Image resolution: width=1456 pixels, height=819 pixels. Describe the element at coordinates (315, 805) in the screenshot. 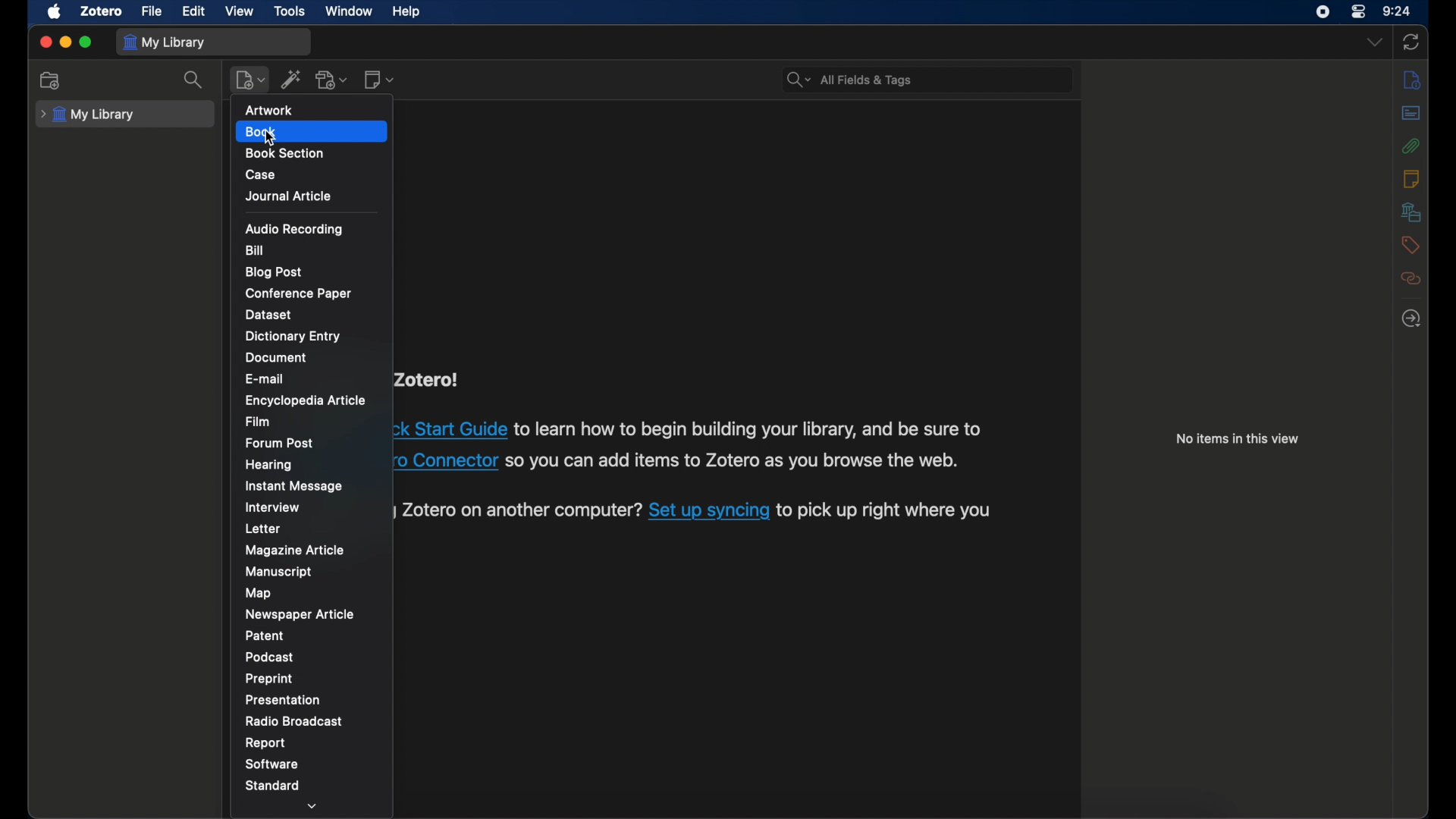

I see `dropdown` at that location.